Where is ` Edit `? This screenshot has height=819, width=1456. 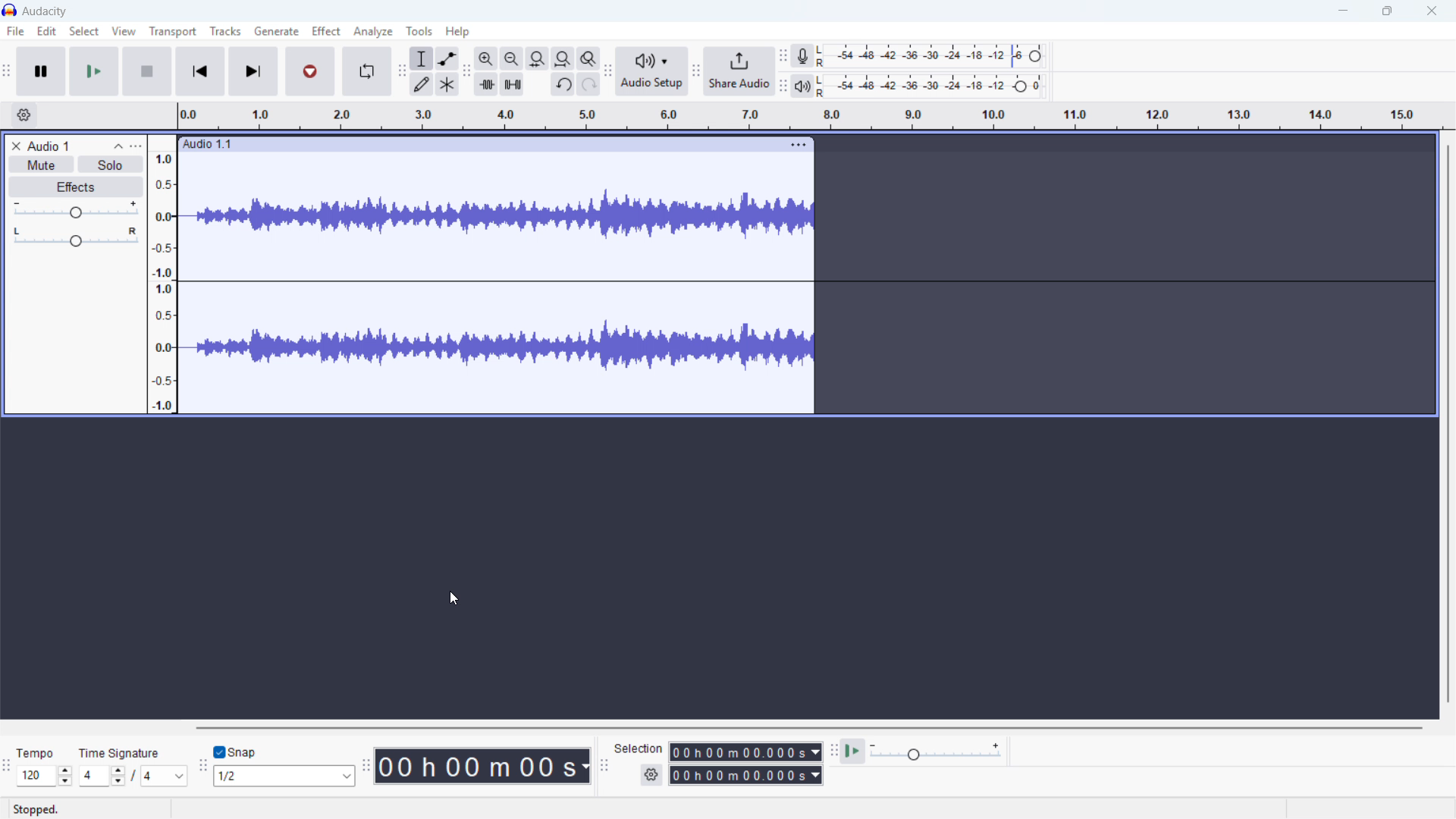
 Edit  is located at coordinates (46, 32).